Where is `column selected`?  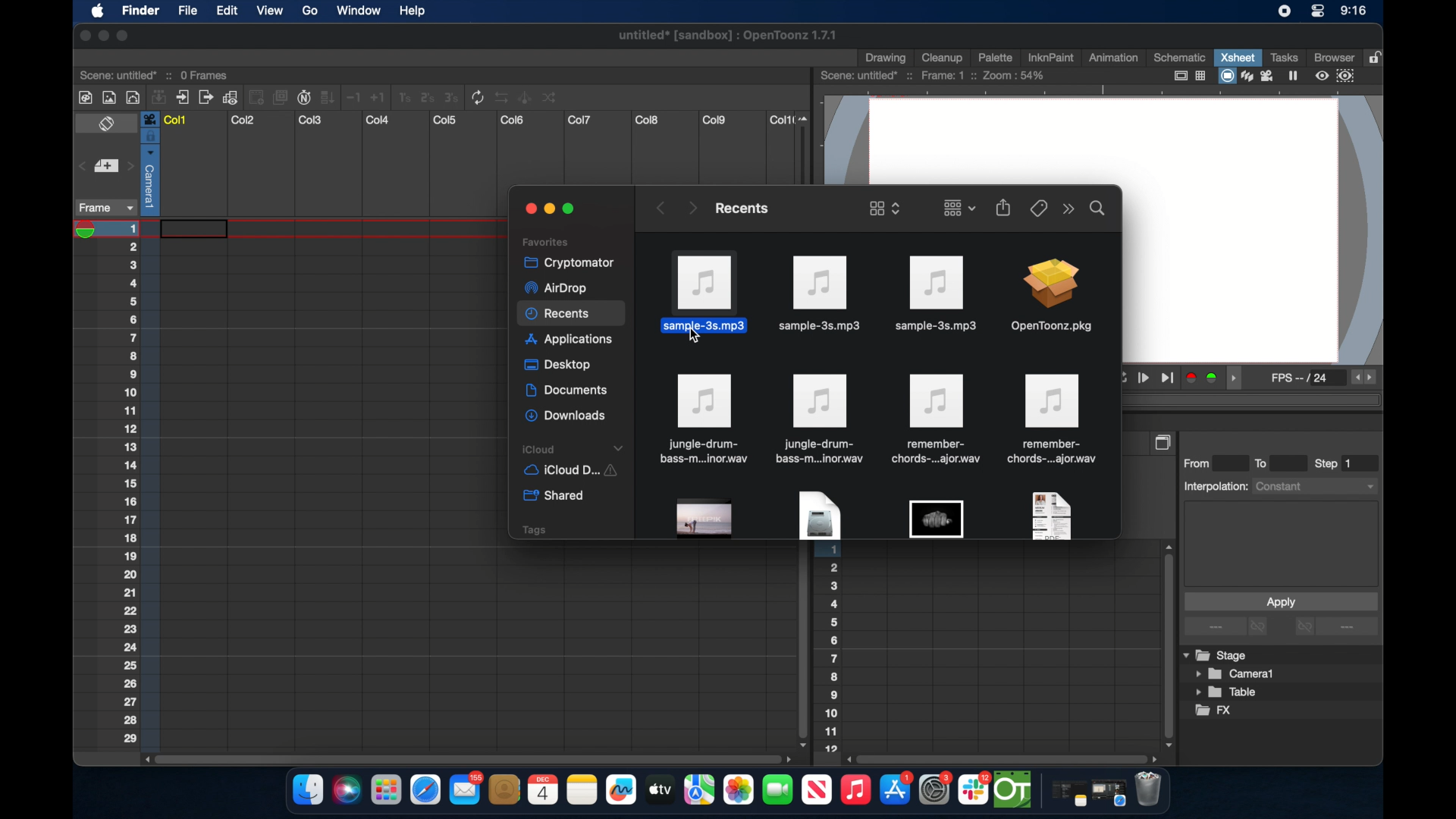
column selected is located at coordinates (149, 163).